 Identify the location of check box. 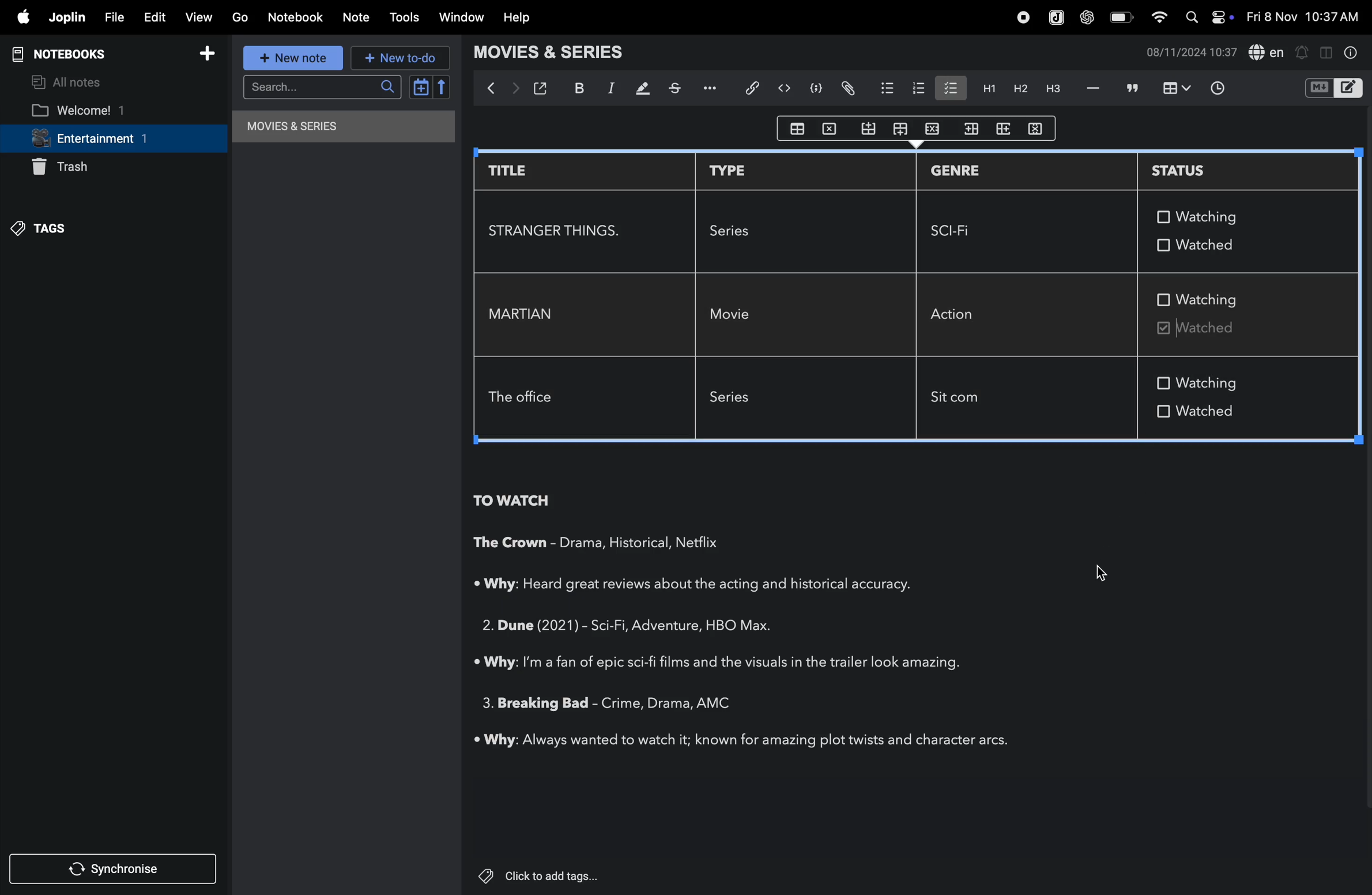
(1162, 328).